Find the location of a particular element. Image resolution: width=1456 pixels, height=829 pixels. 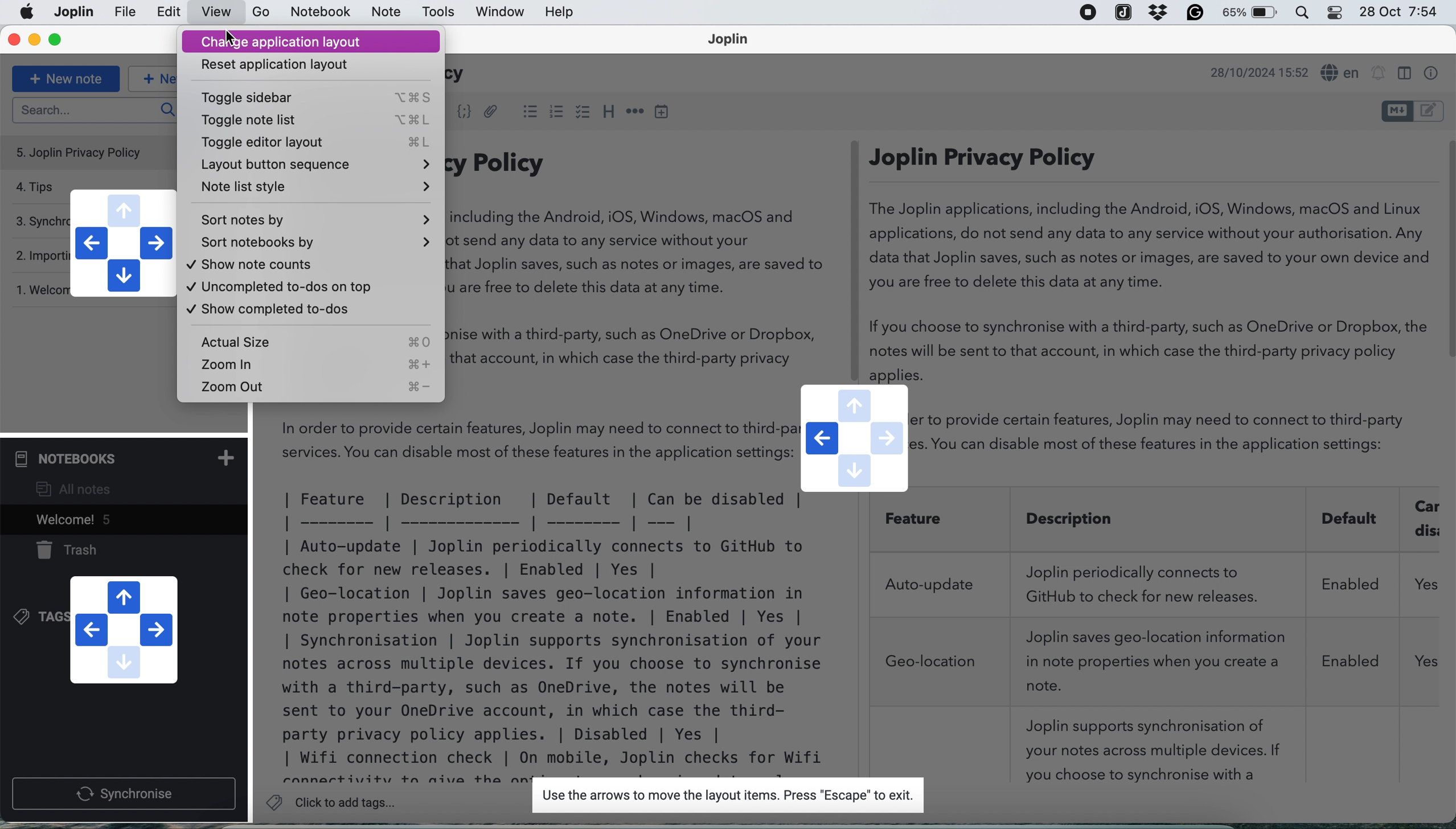

Show completed to-dos is located at coordinates (310, 313).